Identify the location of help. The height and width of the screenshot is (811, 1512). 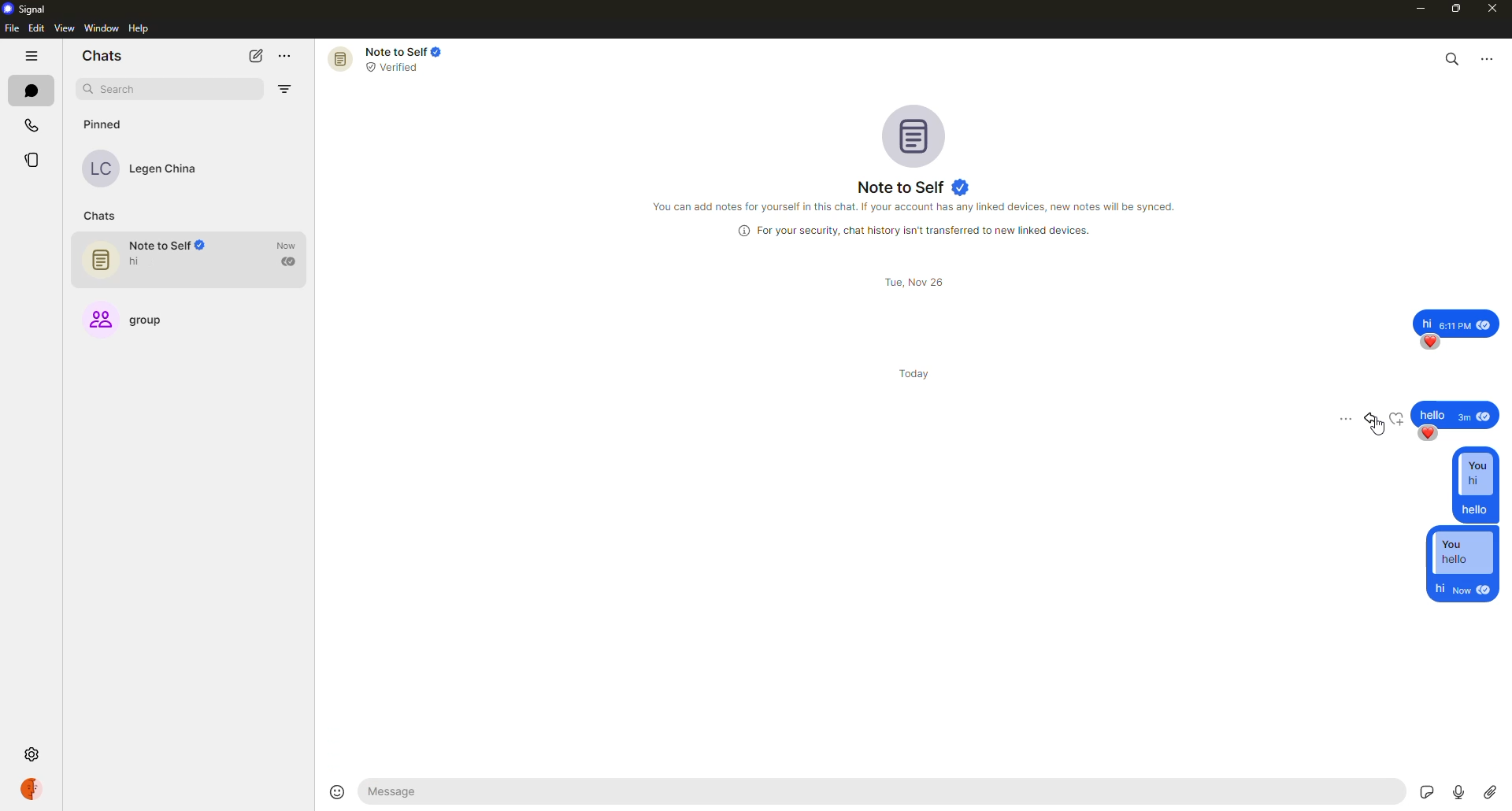
(138, 29).